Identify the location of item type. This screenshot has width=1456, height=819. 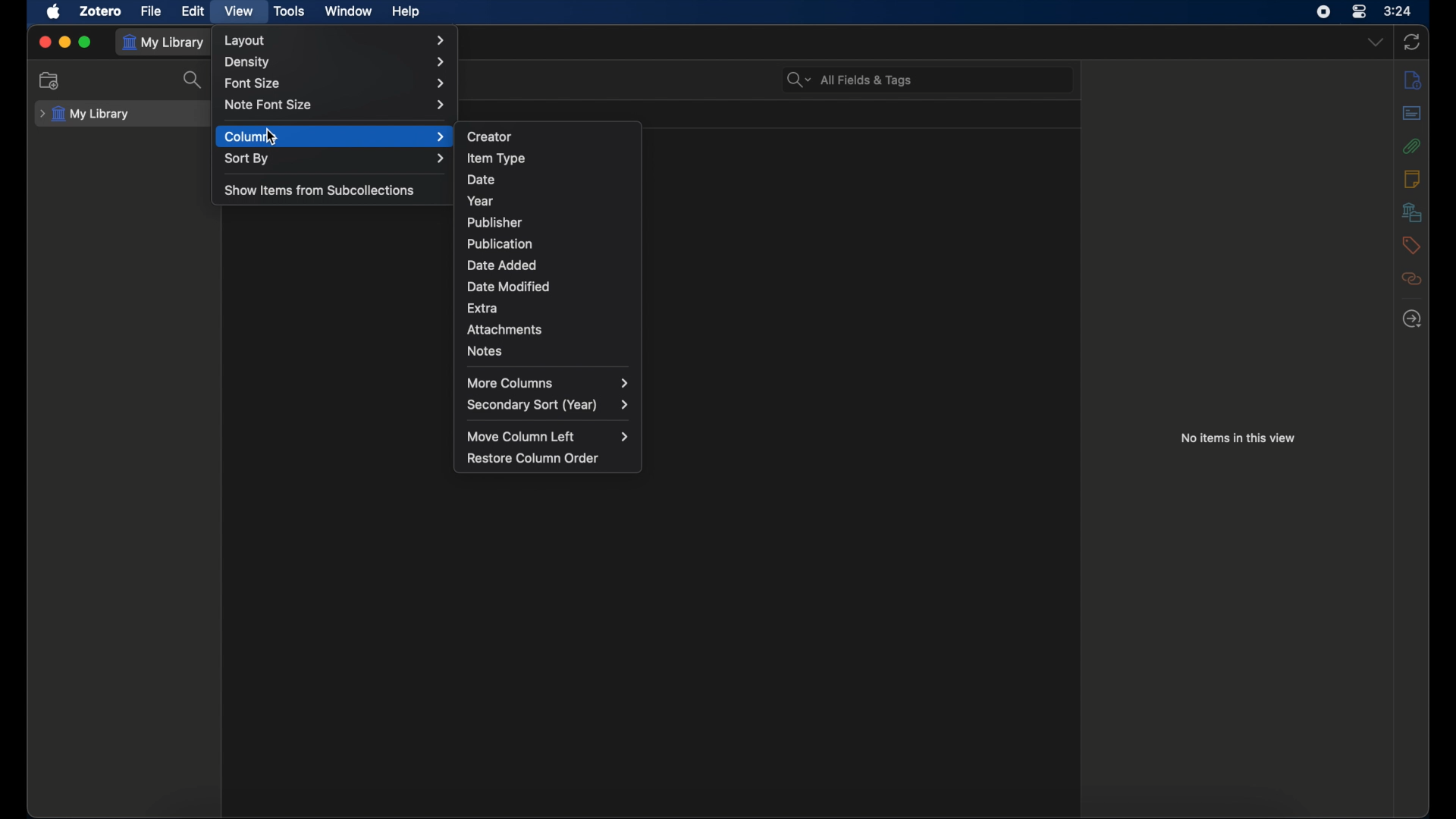
(497, 158).